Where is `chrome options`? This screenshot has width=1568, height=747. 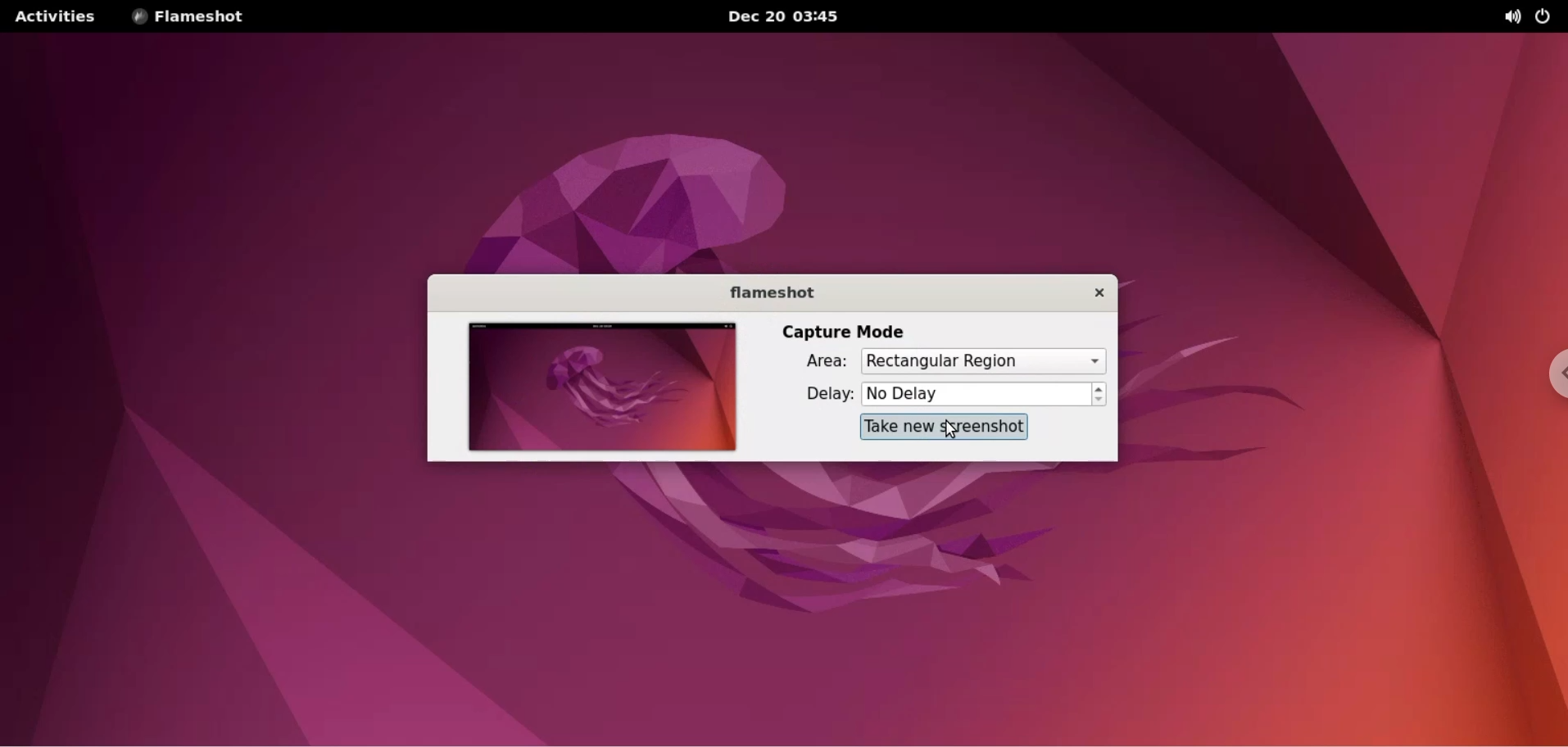 chrome options is located at coordinates (1548, 378).